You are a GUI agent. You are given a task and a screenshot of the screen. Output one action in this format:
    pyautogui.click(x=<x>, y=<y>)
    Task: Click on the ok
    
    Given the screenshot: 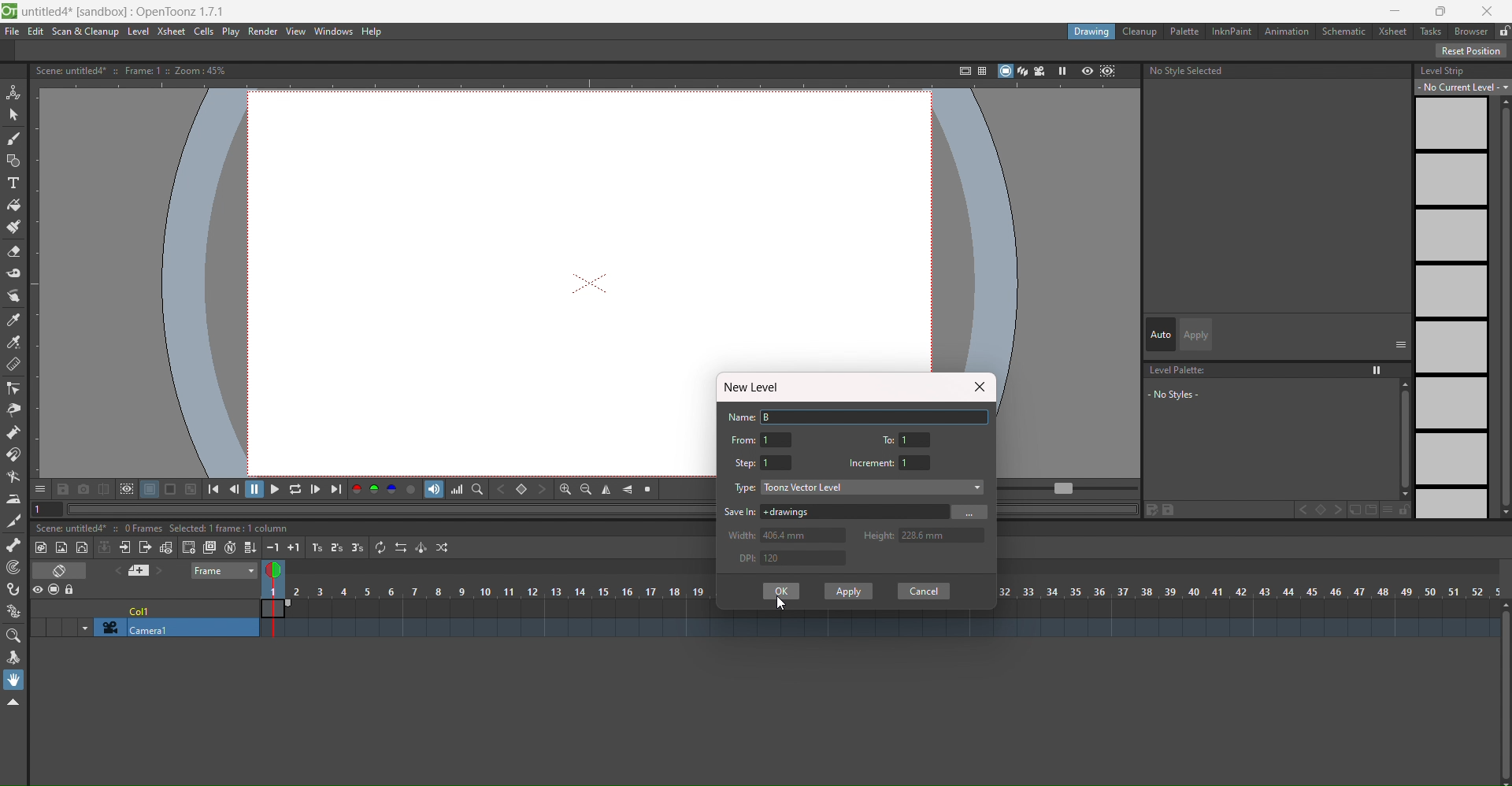 What is the action you would take?
    pyautogui.click(x=781, y=591)
    